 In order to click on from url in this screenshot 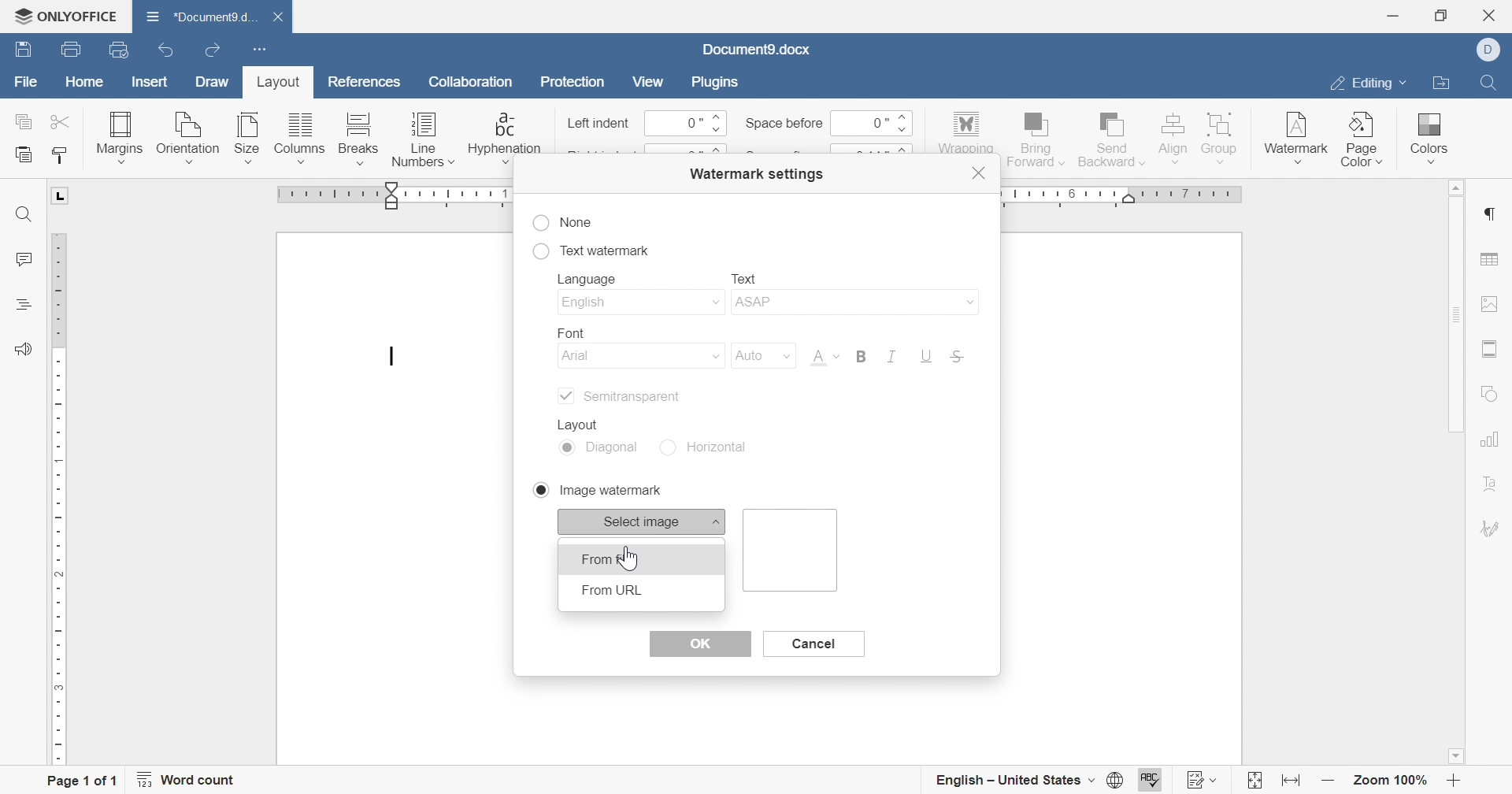, I will do `click(612, 590)`.